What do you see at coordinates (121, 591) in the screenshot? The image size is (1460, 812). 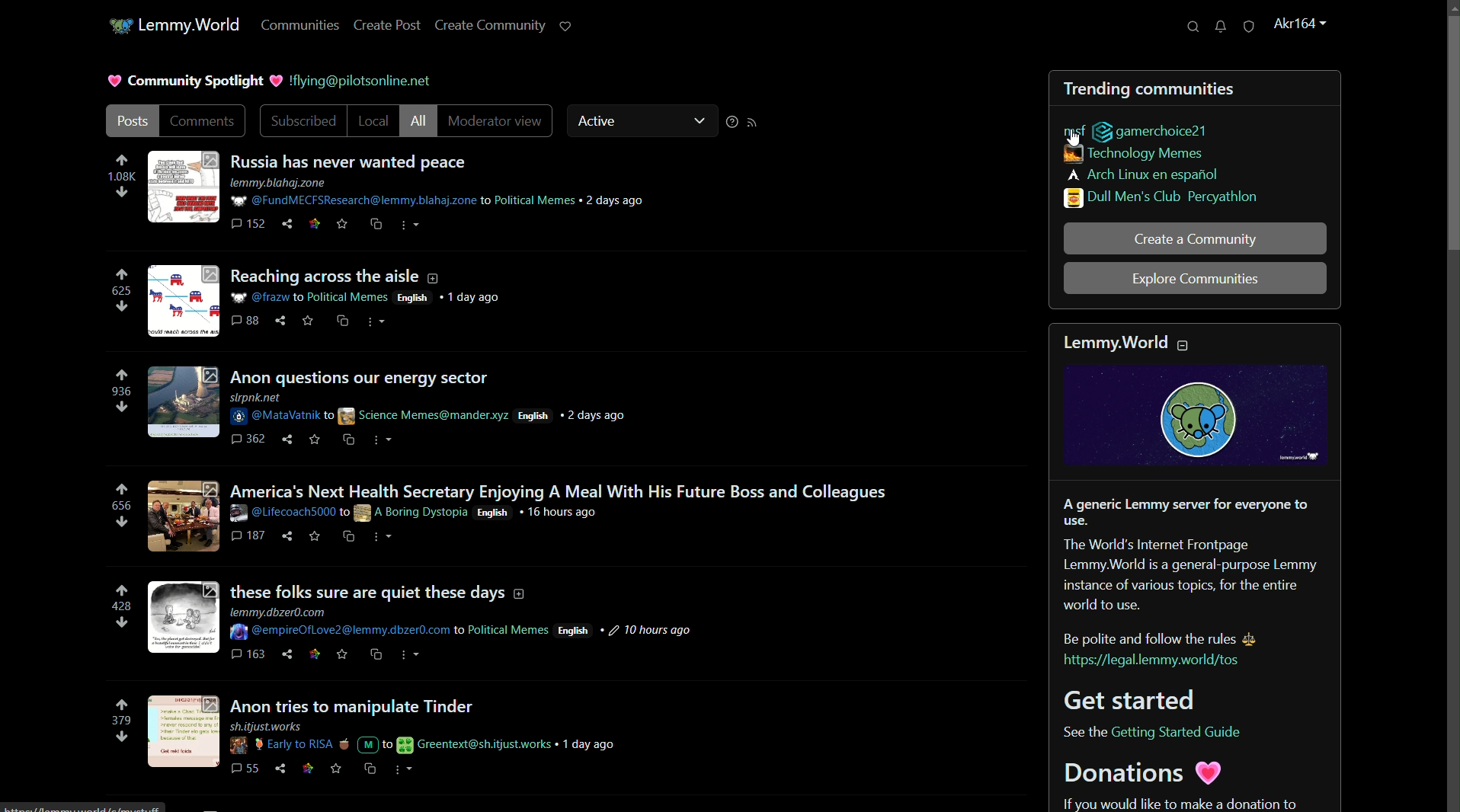 I see `upvote` at bounding box center [121, 591].